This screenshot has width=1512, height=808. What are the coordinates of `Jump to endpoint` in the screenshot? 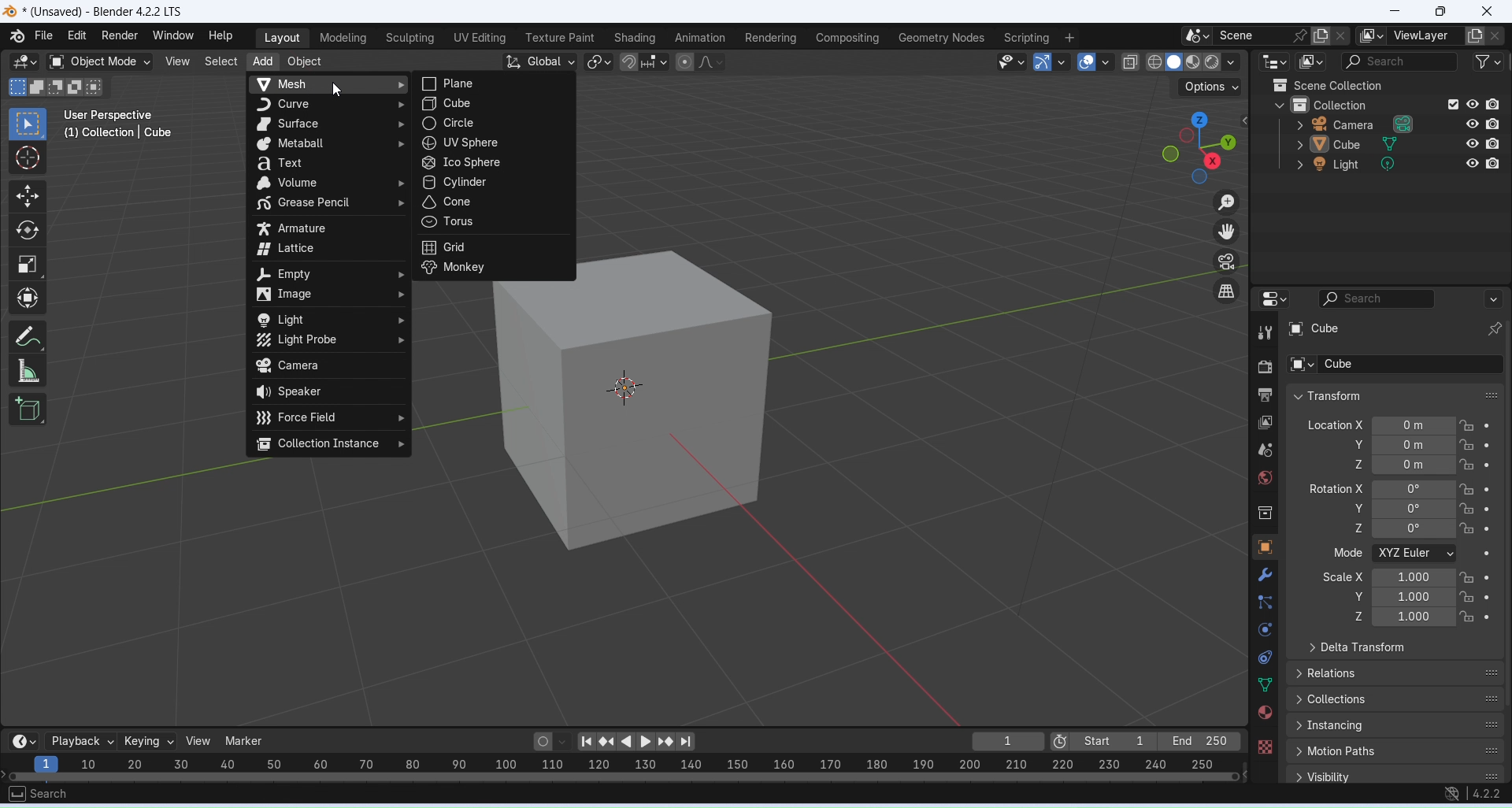 It's located at (584, 740).